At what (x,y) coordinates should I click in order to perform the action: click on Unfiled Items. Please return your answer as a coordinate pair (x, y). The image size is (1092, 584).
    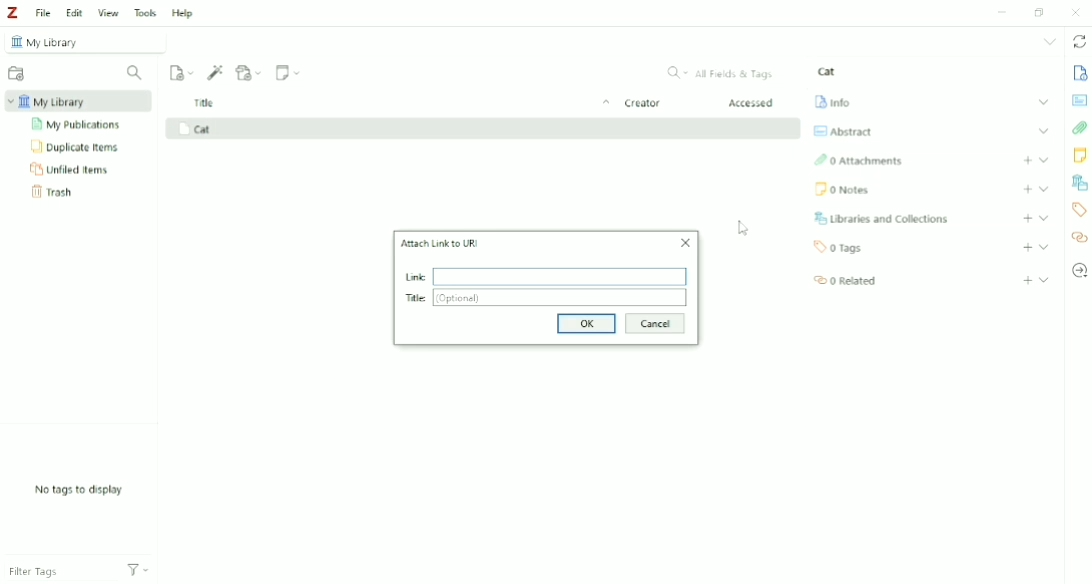
    Looking at the image, I should click on (71, 168).